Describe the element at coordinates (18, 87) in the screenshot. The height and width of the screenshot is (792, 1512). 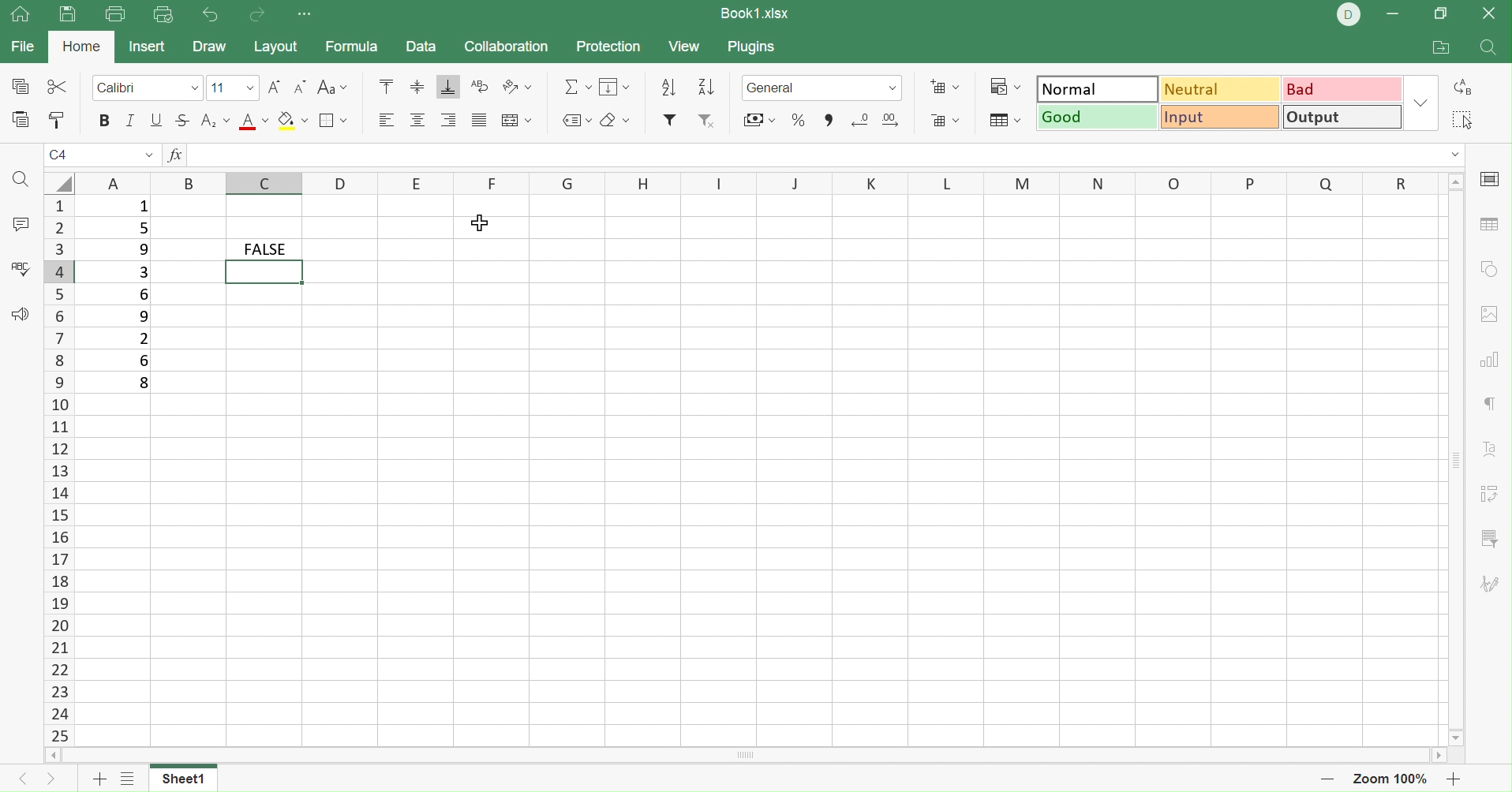
I see `sign` at that location.